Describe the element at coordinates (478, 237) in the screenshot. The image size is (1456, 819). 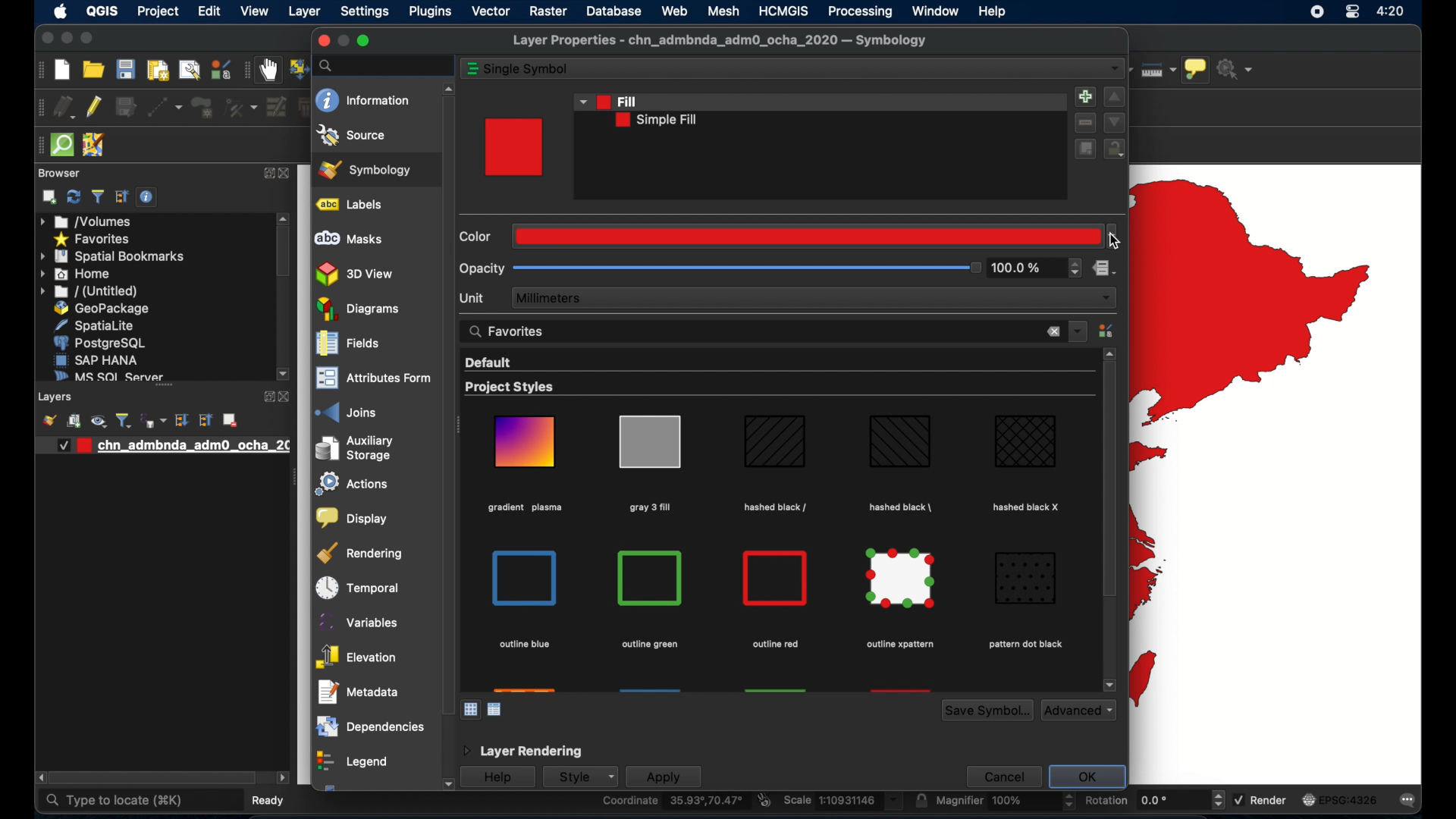
I see `color` at that location.